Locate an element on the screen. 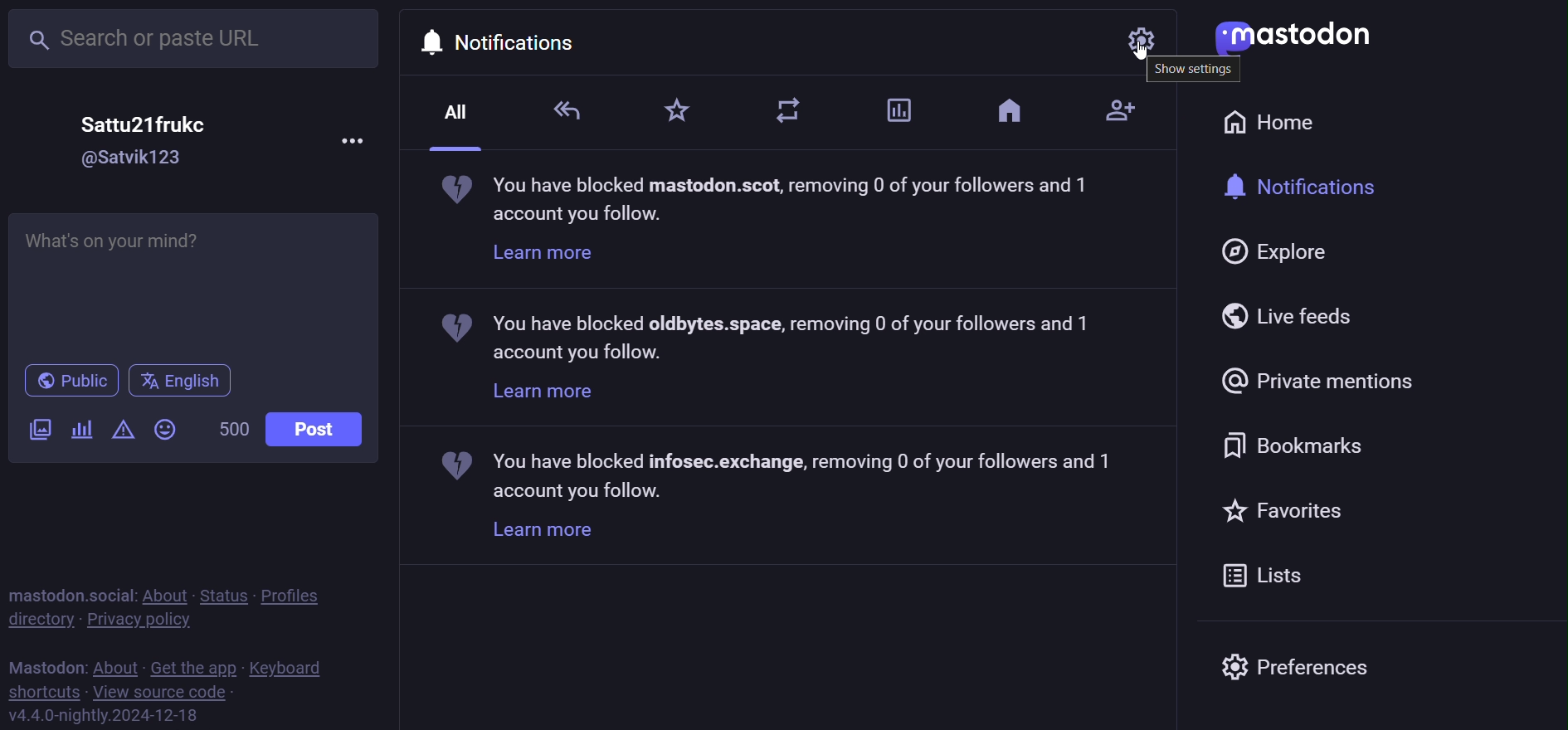  invite is located at coordinates (1110, 108).